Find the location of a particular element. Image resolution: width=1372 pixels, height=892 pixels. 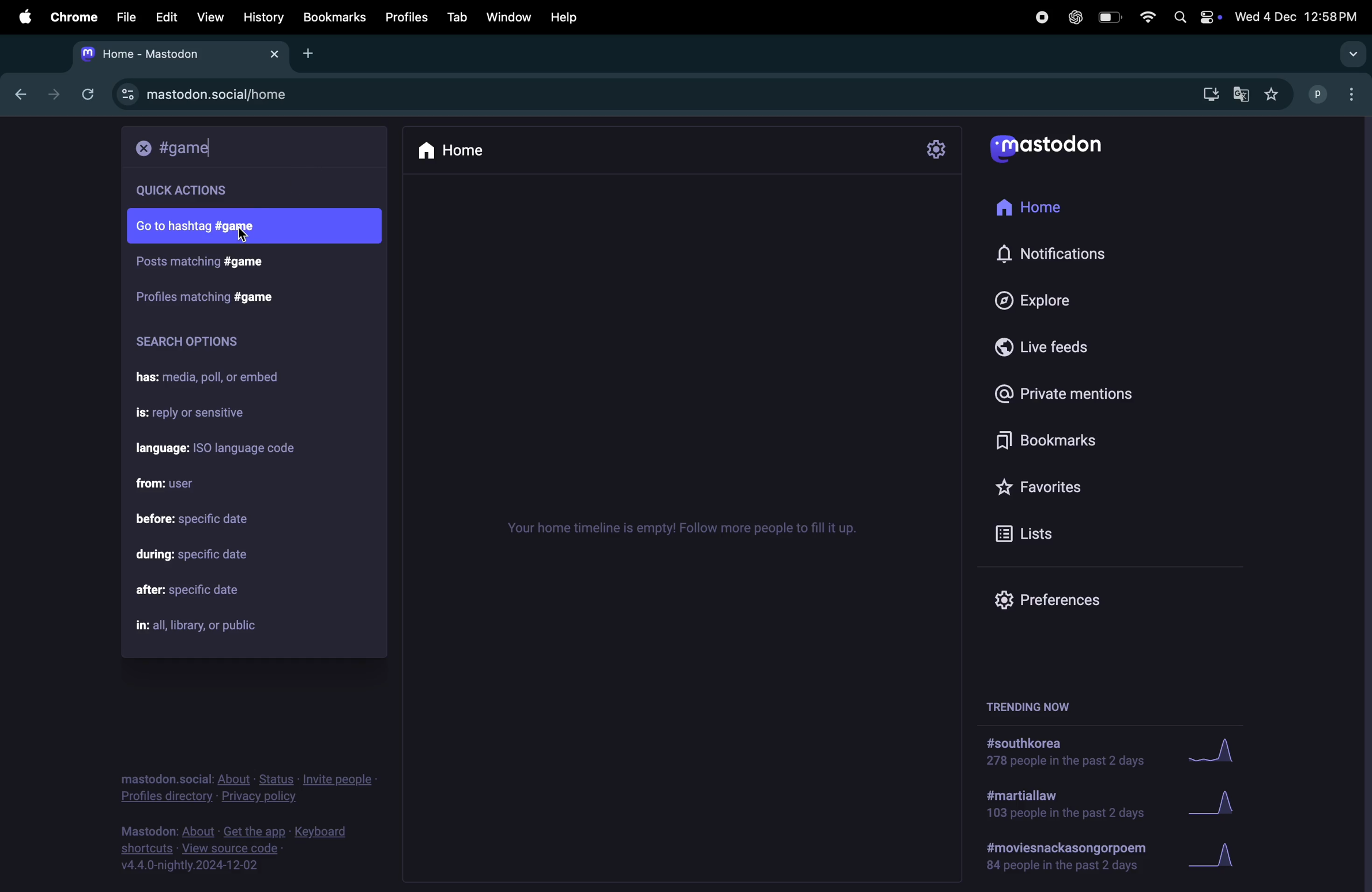

apple enu is located at coordinates (22, 16).